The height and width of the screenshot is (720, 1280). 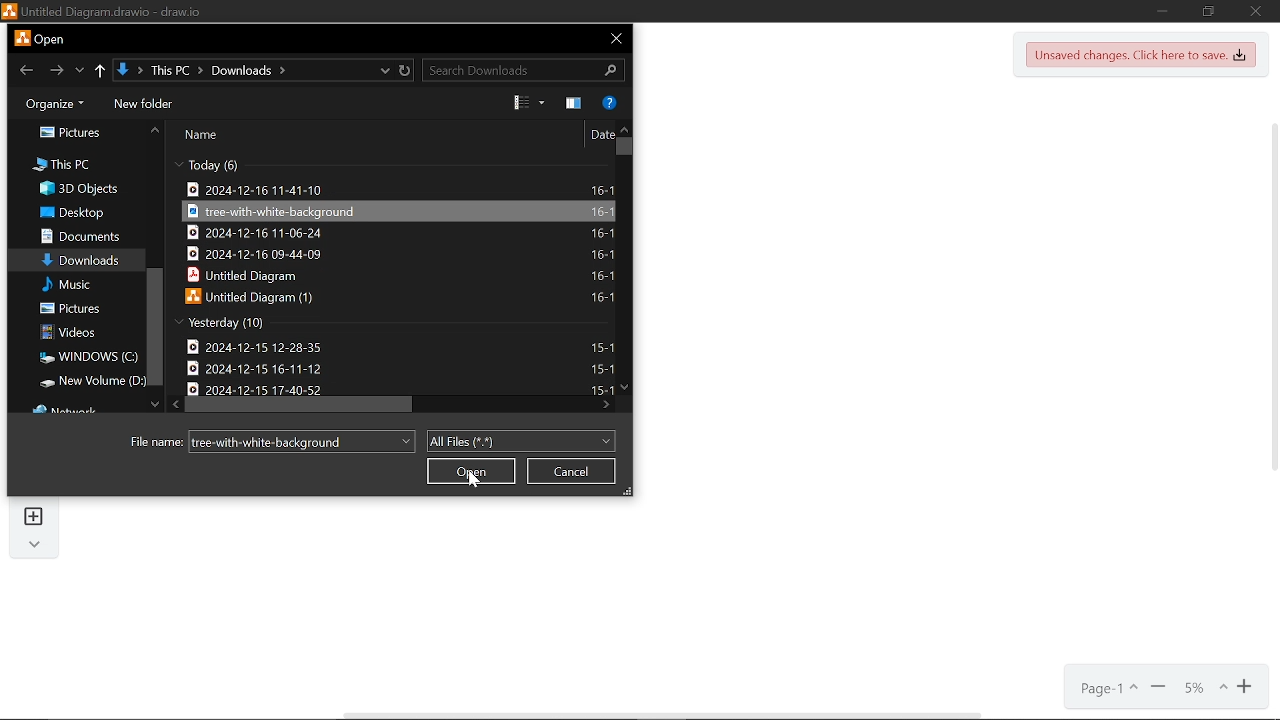 I want to click on insert, so click(x=34, y=516).